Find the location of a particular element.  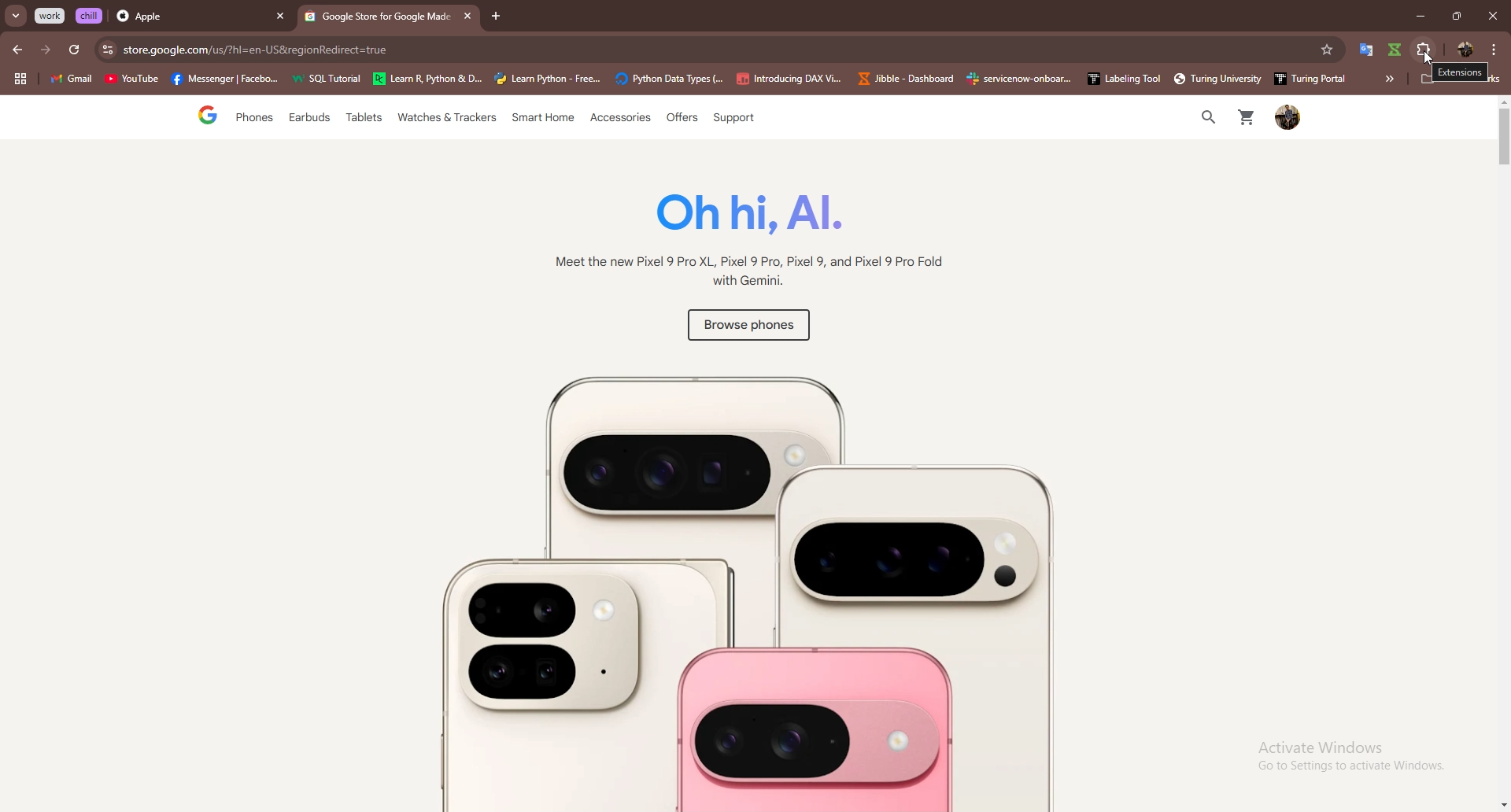

favorites is located at coordinates (1326, 50).